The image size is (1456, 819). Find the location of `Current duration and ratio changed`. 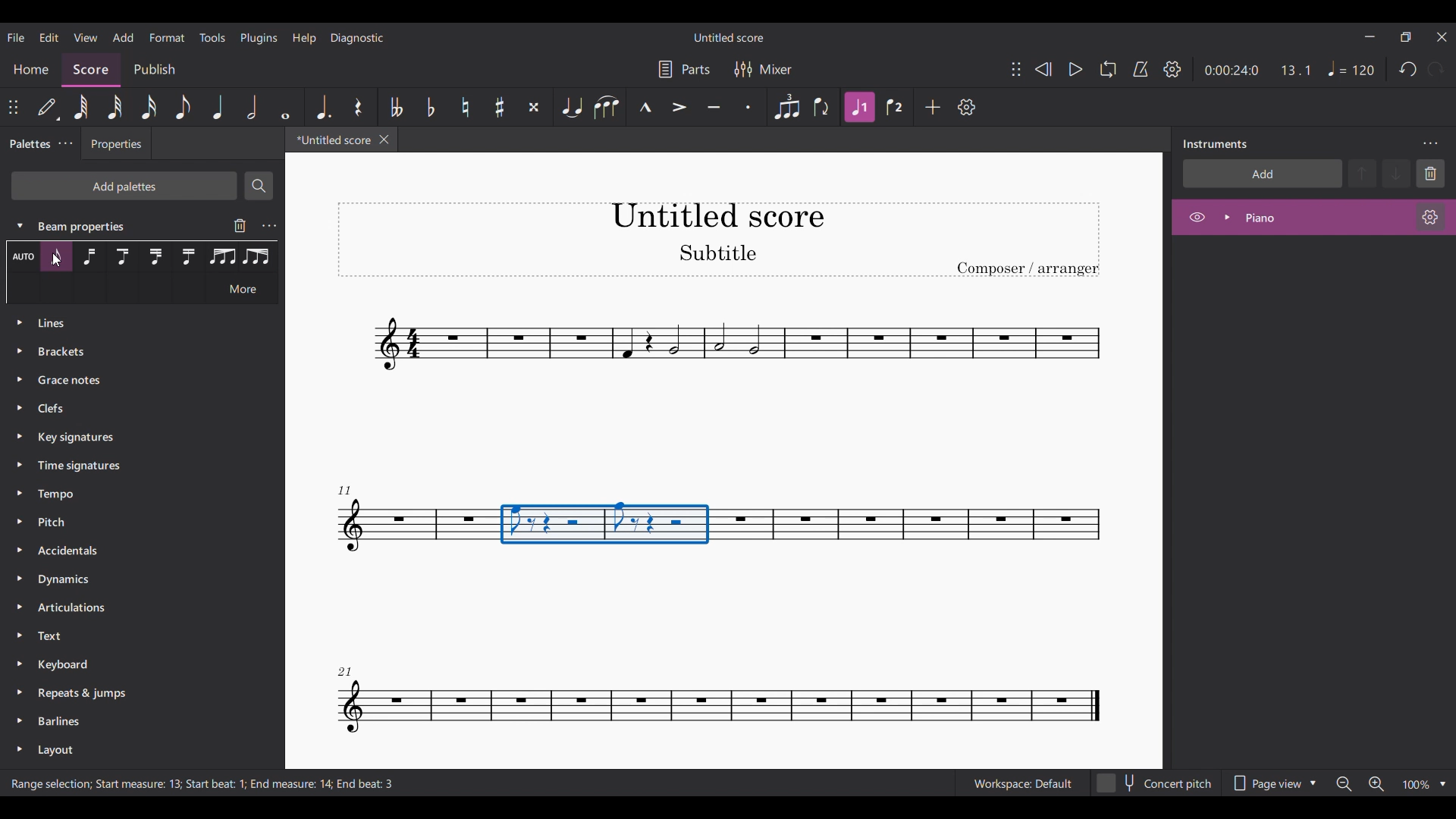

Current duration and ratio changed is located at coordinates (1257, 70).